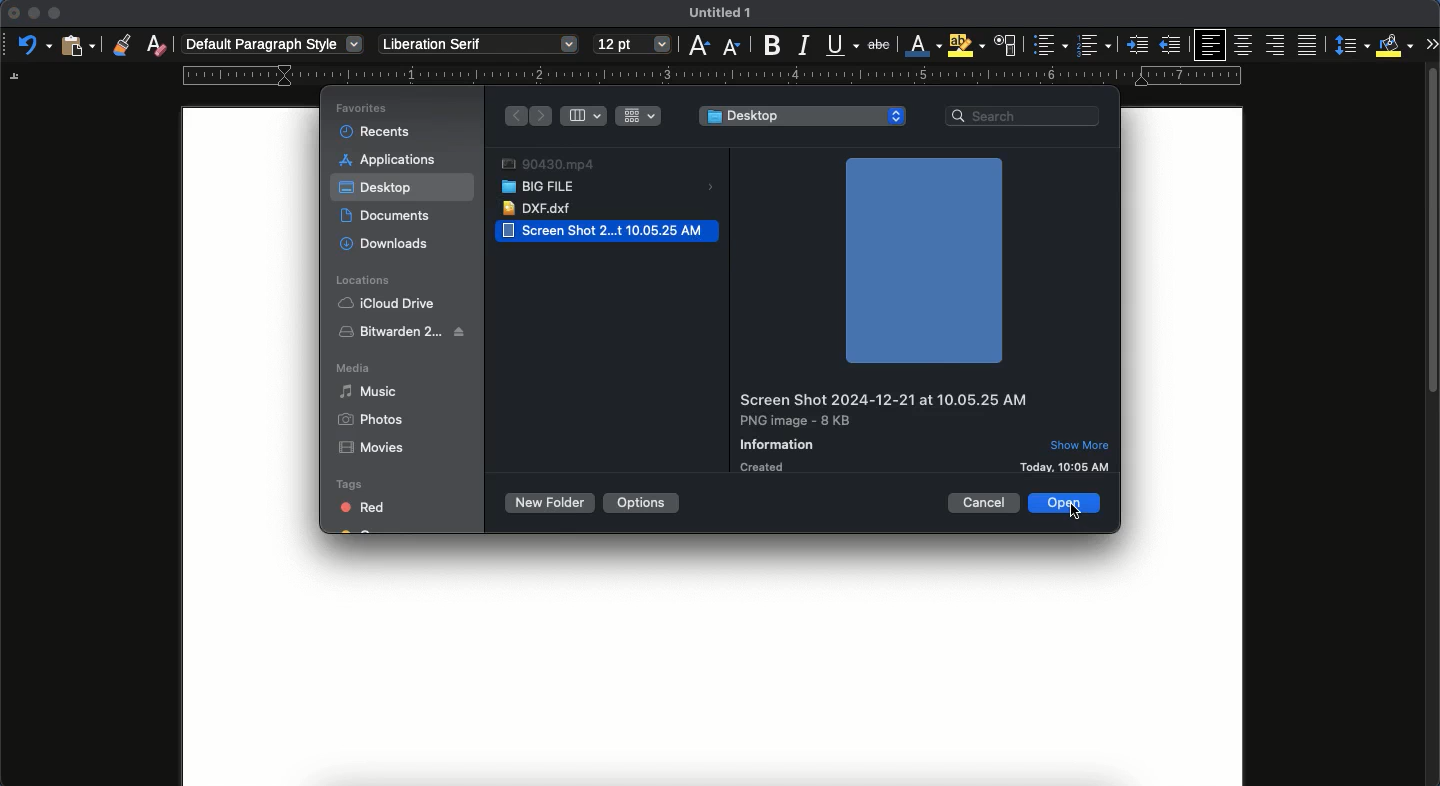 The width and height of the screenshot is (1440, 786). What do you see at coordinates (1390, 46) in the screenshot?
I see `fill color` at bounding box center [1390, 46].